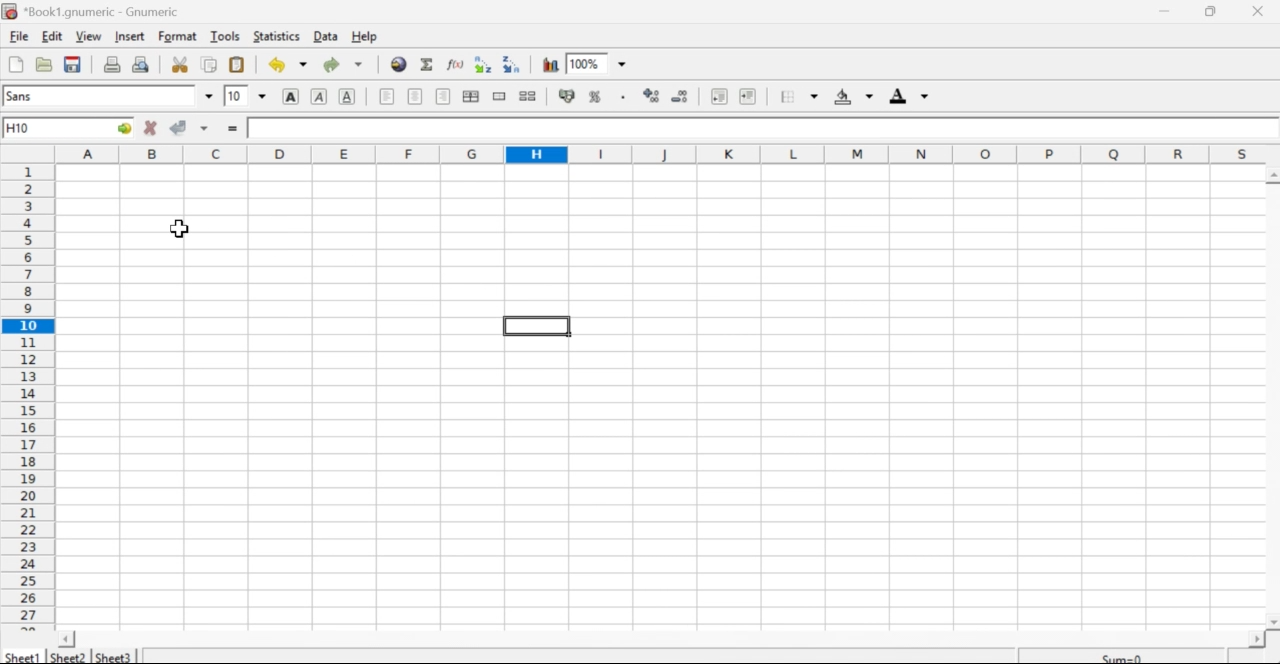 This screenshot has height=664, width=1280. I want to click on down, so click(359, 65).